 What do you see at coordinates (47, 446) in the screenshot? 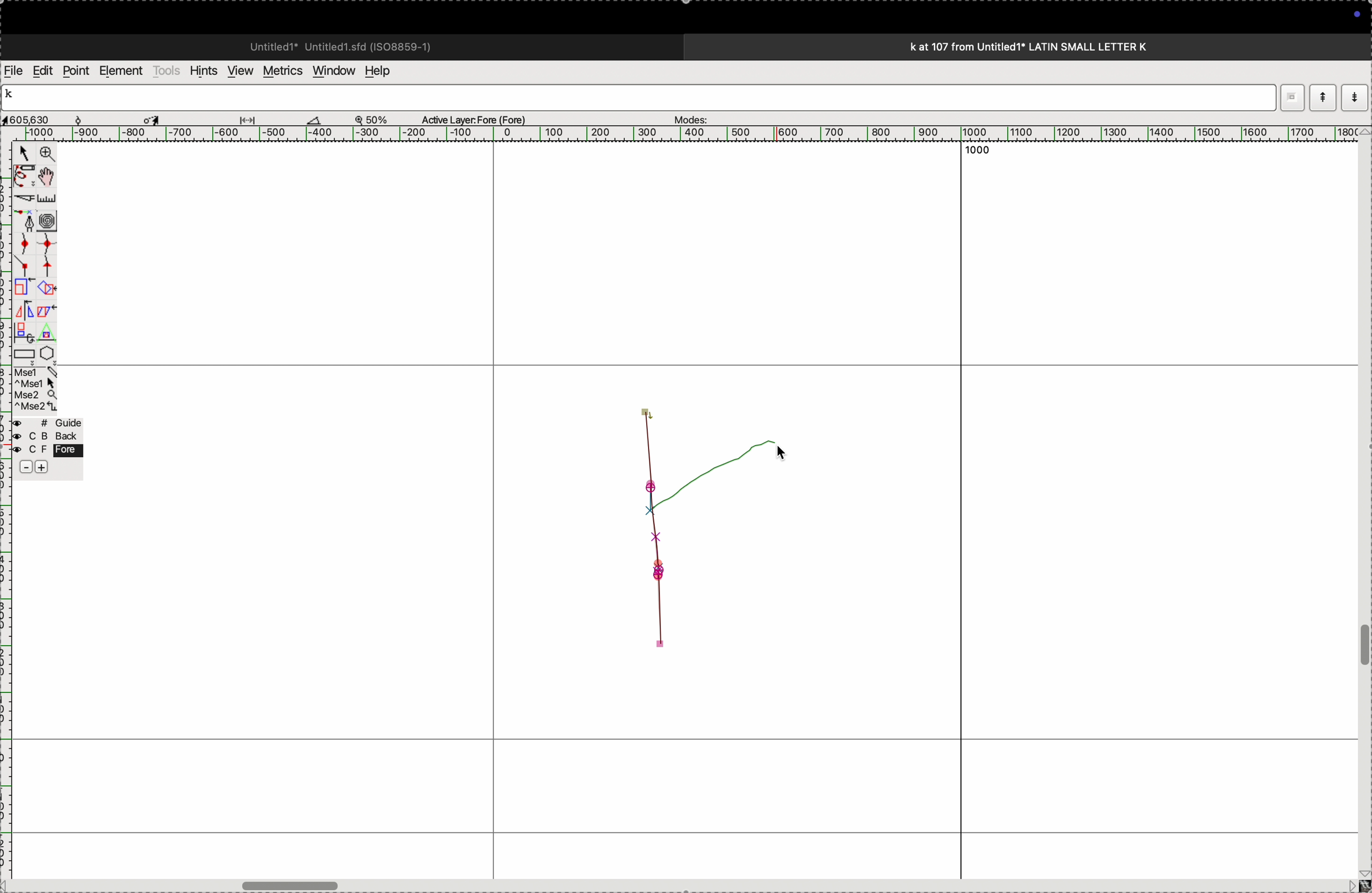
I see `Guide` at bounding box center [47, 446].